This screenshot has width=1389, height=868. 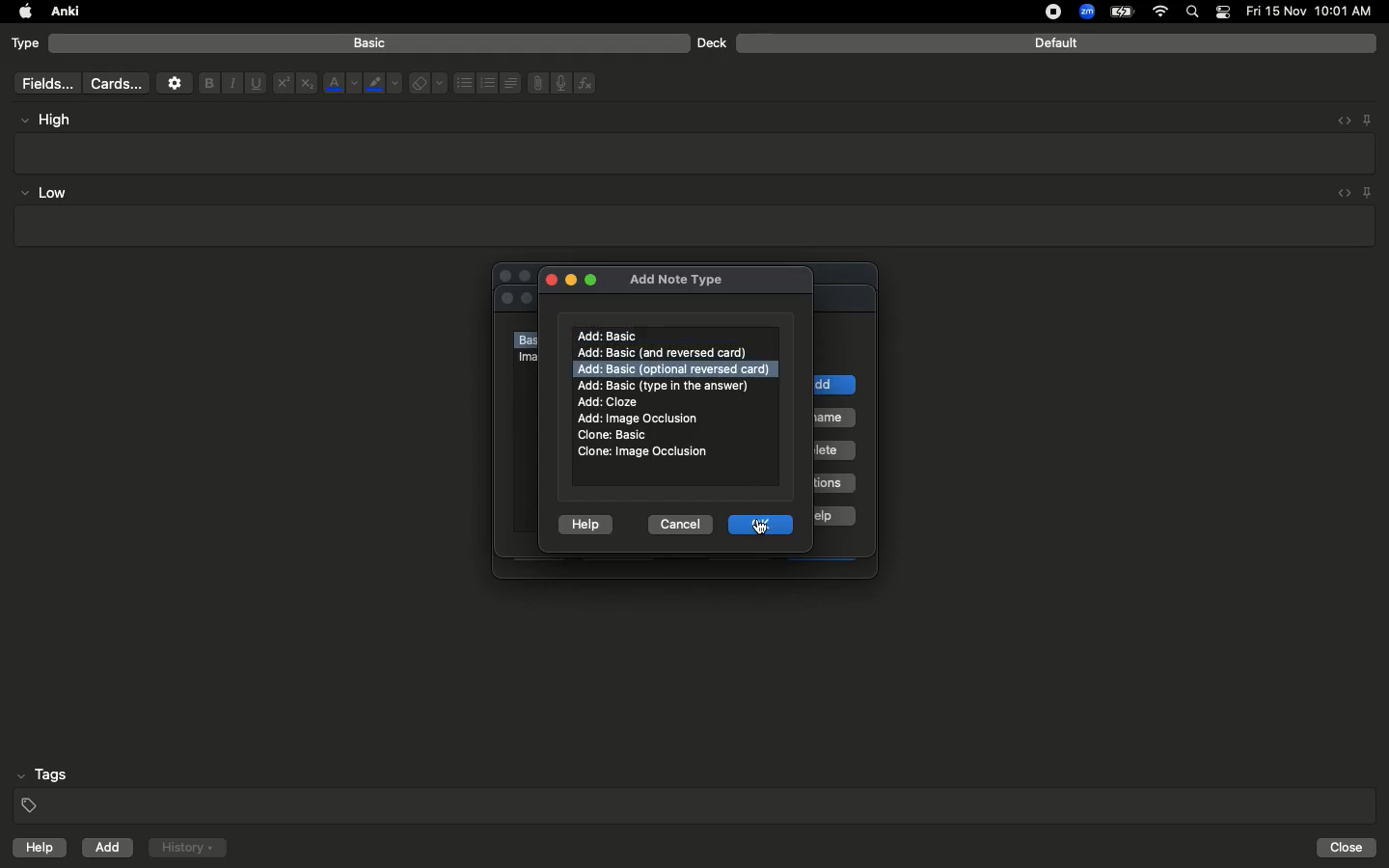 What do you see at coordinates (383, 85) in the screenshot?
I see `Marker` at bounding box center [383, 85].